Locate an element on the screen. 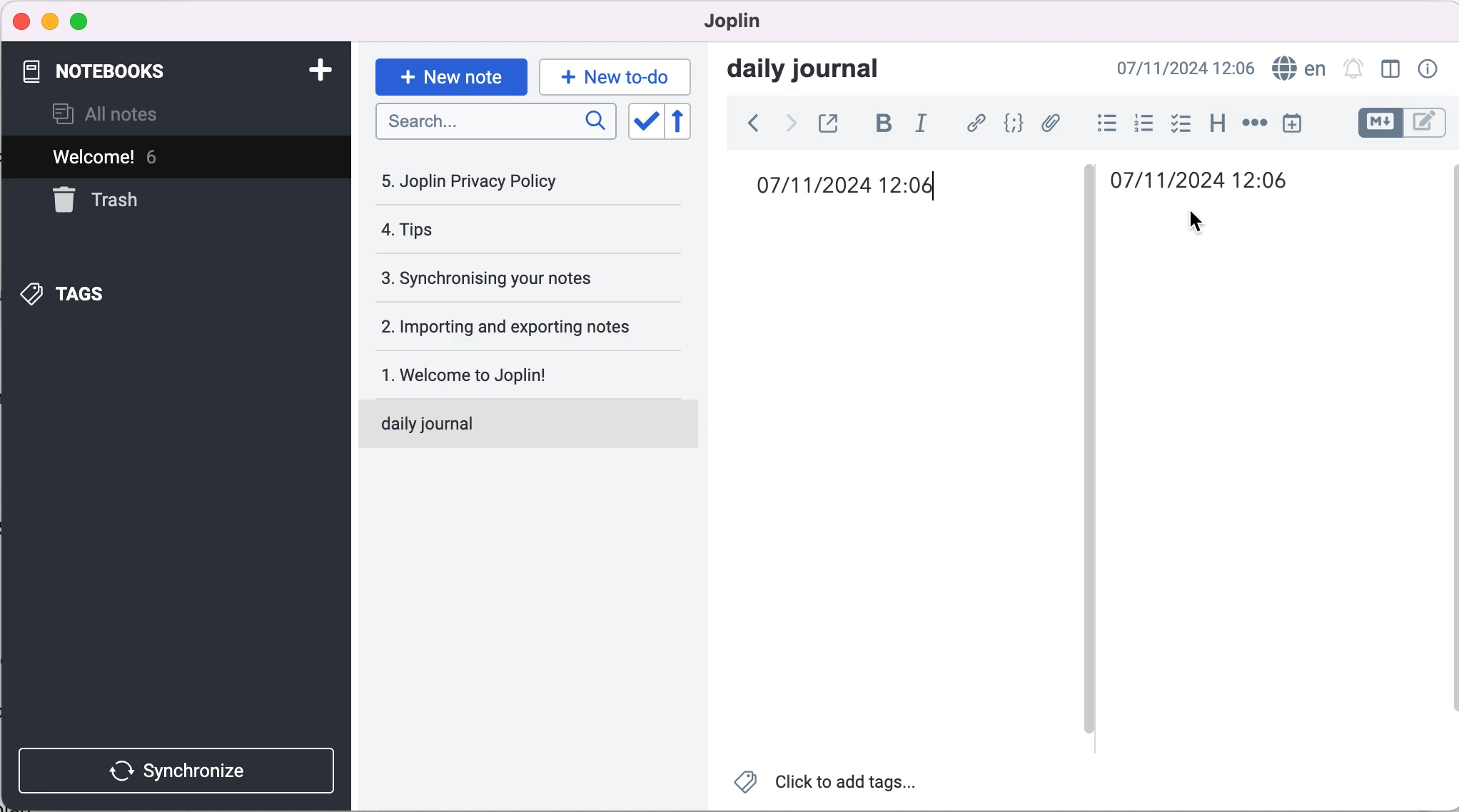 This screenshot has width=1459, height=812. search is located at coordinates (493, 123).